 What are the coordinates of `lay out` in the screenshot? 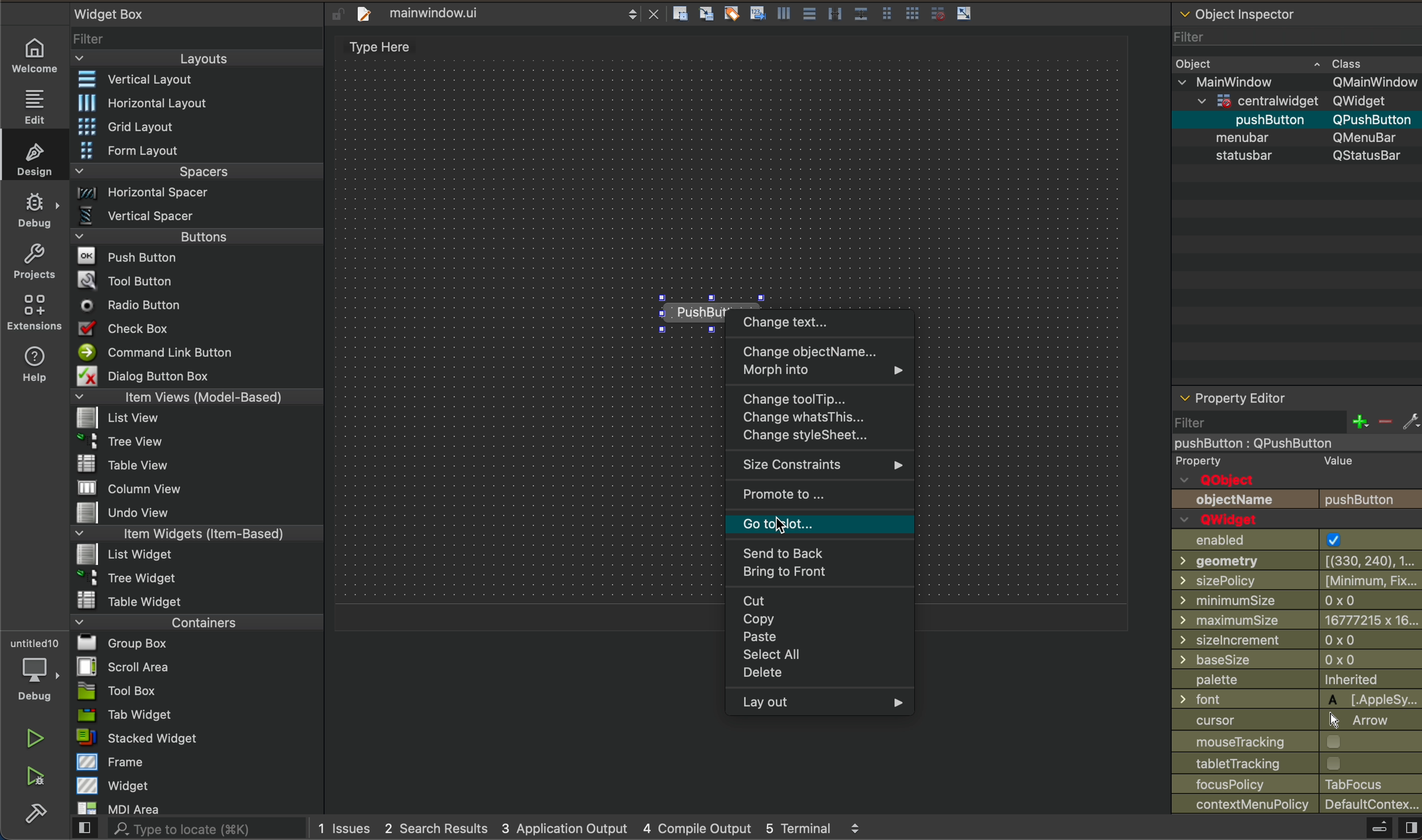 It's located at (827, 704).